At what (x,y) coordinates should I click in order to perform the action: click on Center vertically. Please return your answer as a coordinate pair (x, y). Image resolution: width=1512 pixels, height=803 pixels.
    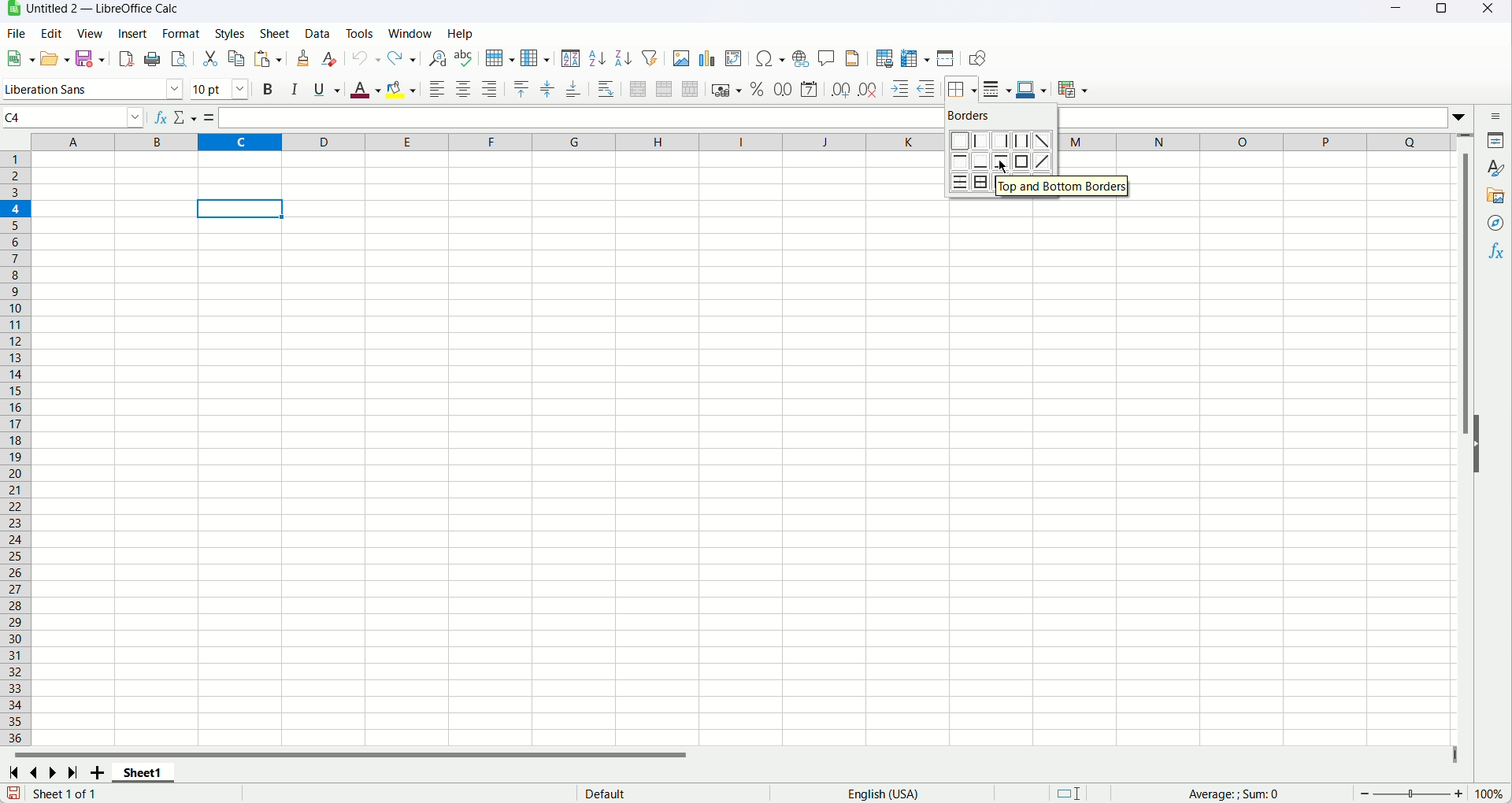
    Looking at the image, I should click on (548, 89).